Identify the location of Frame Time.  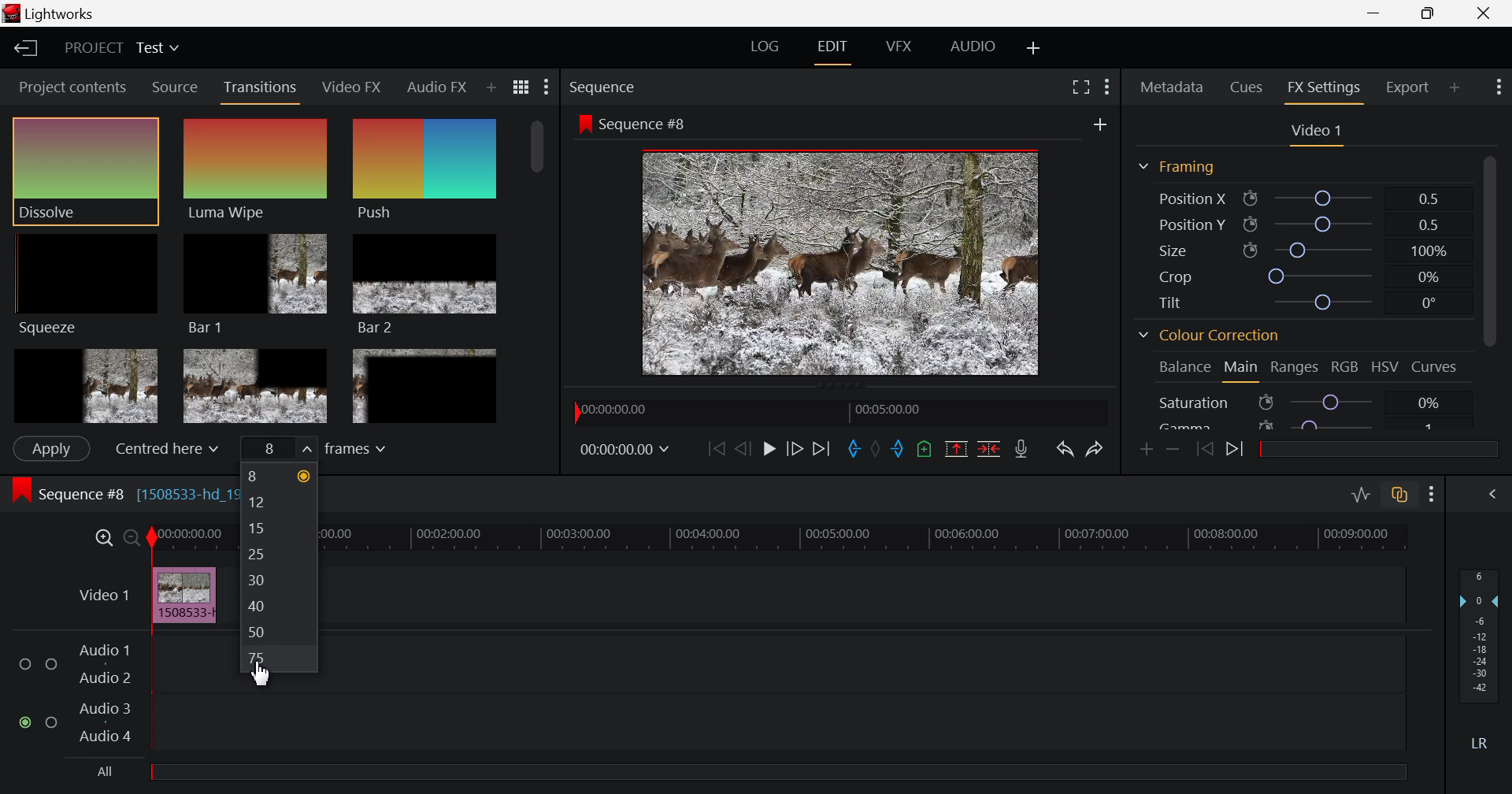
(627, 452).